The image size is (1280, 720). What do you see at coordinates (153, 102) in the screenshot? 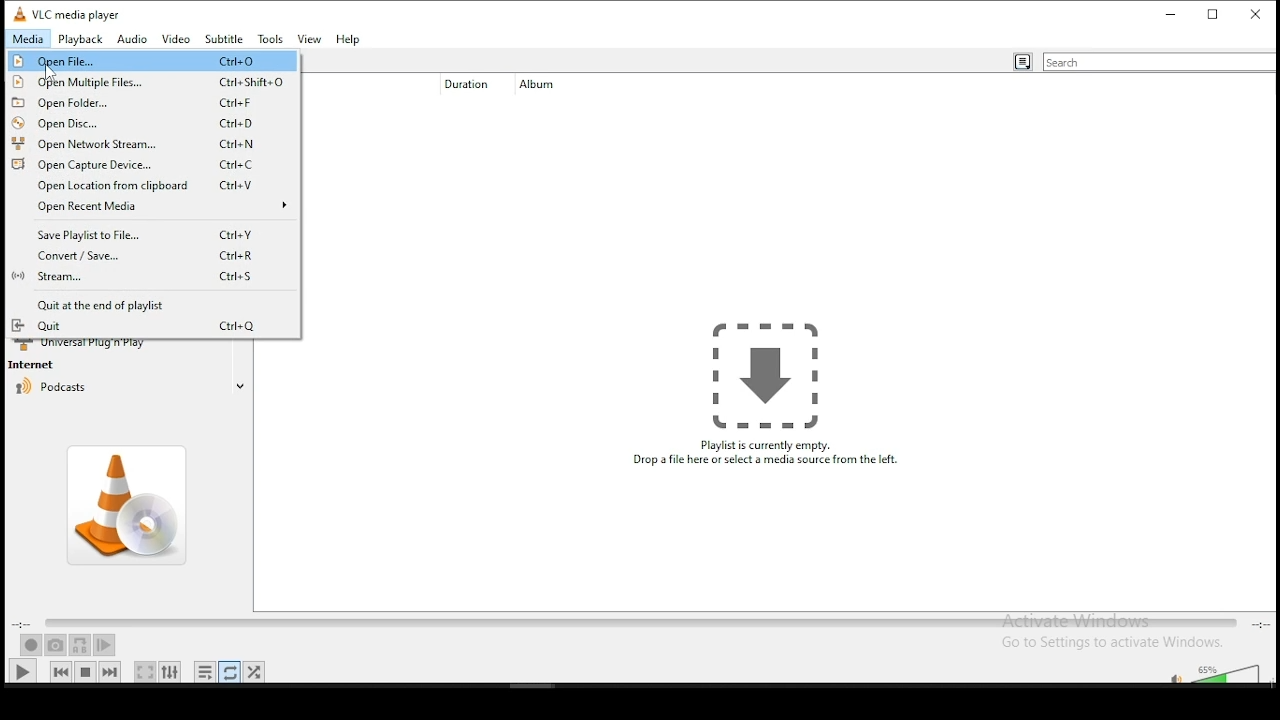
I see `open folder` at bounding box center [153, 102].